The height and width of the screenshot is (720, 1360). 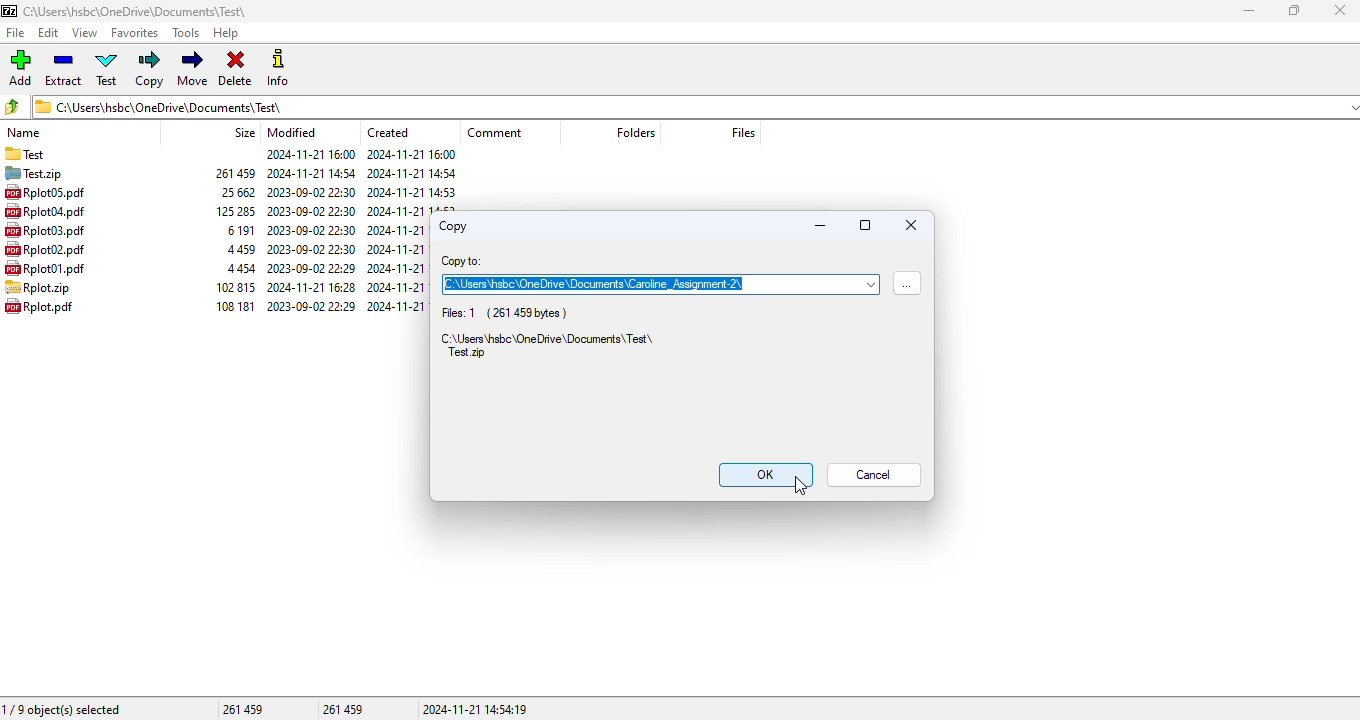 I want to click on folder name, so click(x=135, y=11).